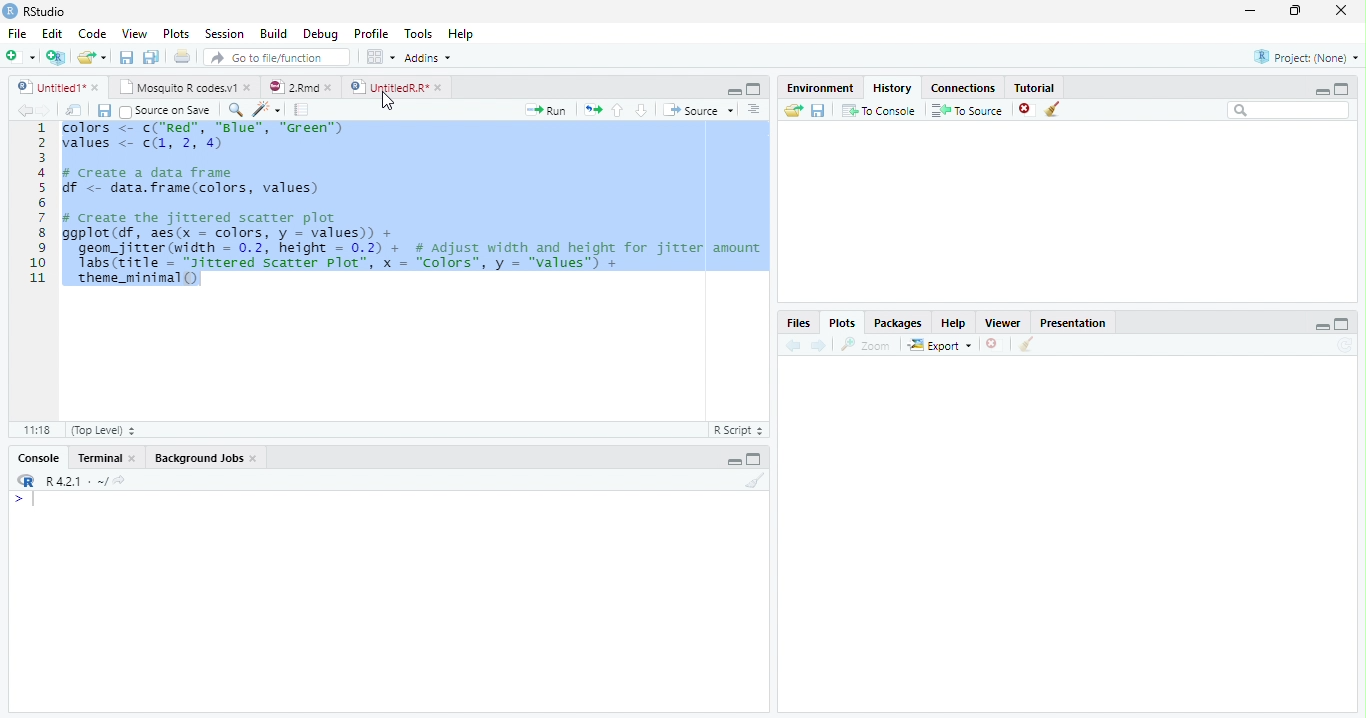 The width and height of the screenshot is (1366, 718). What do you see at coordinates (896, 322) in the screenshot?
I see `Packages` at bounding box center [896, 322].